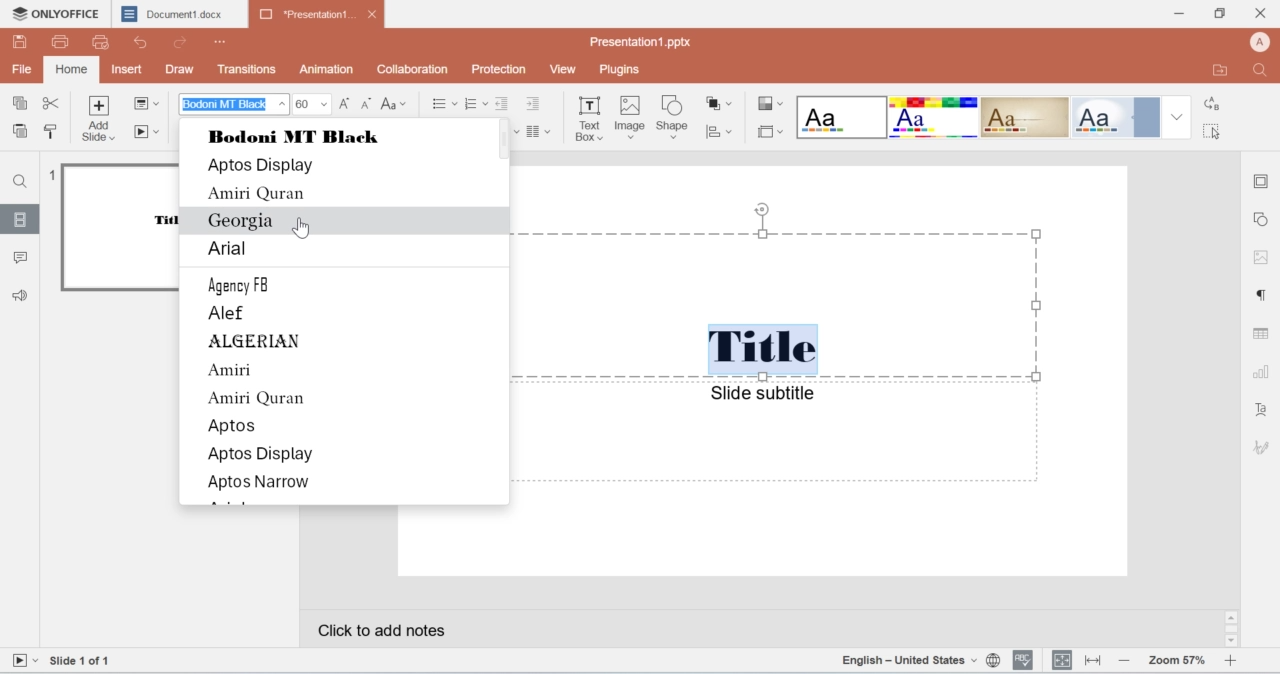 Image resolution: width=1280 pixels, height=674 pixels. What do you see at coordinates (329, 69) in the screenshot?
I see `animation` at bounding box center [329, 69].